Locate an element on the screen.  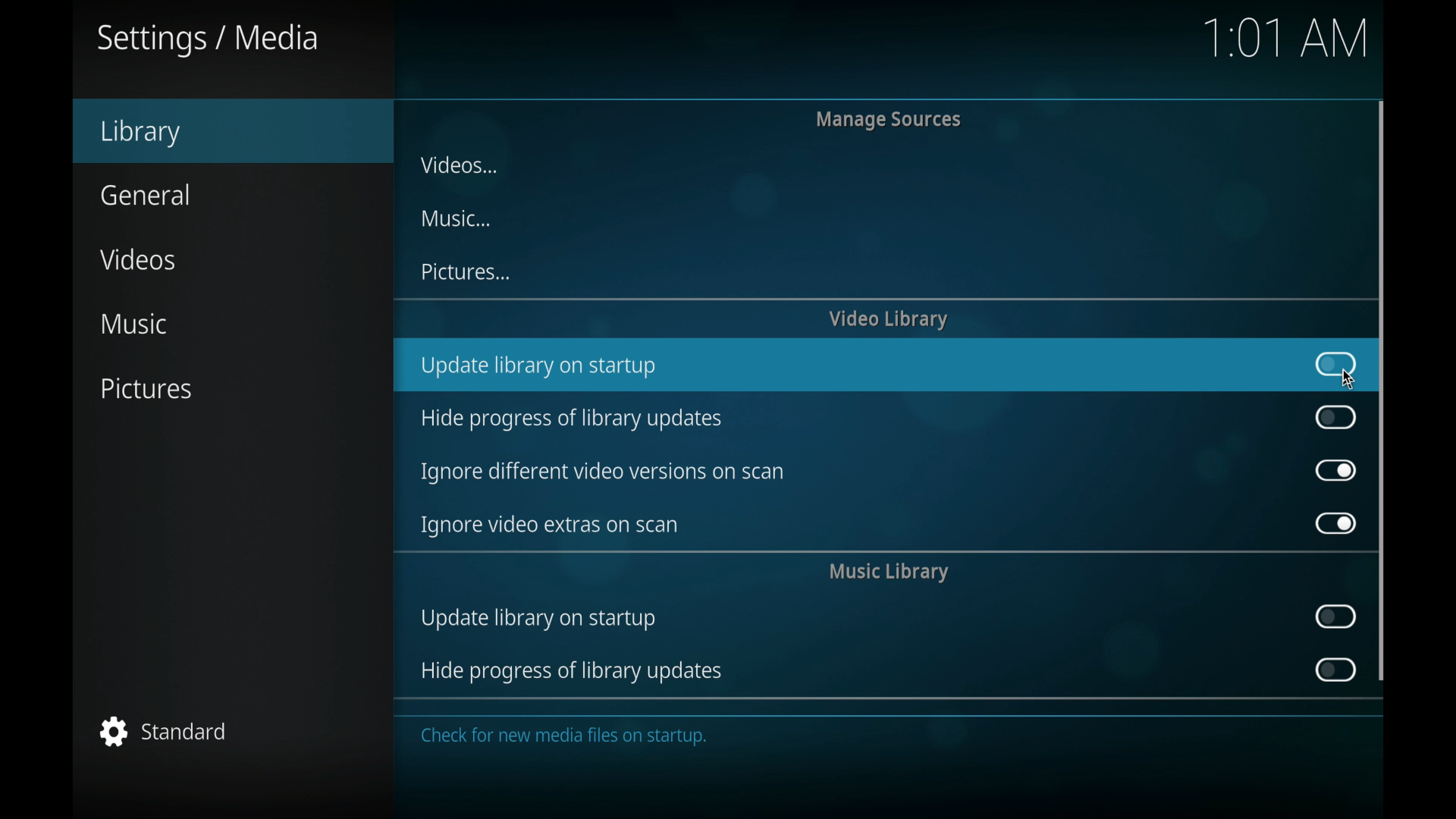
general is located at coordinates (145, 194).